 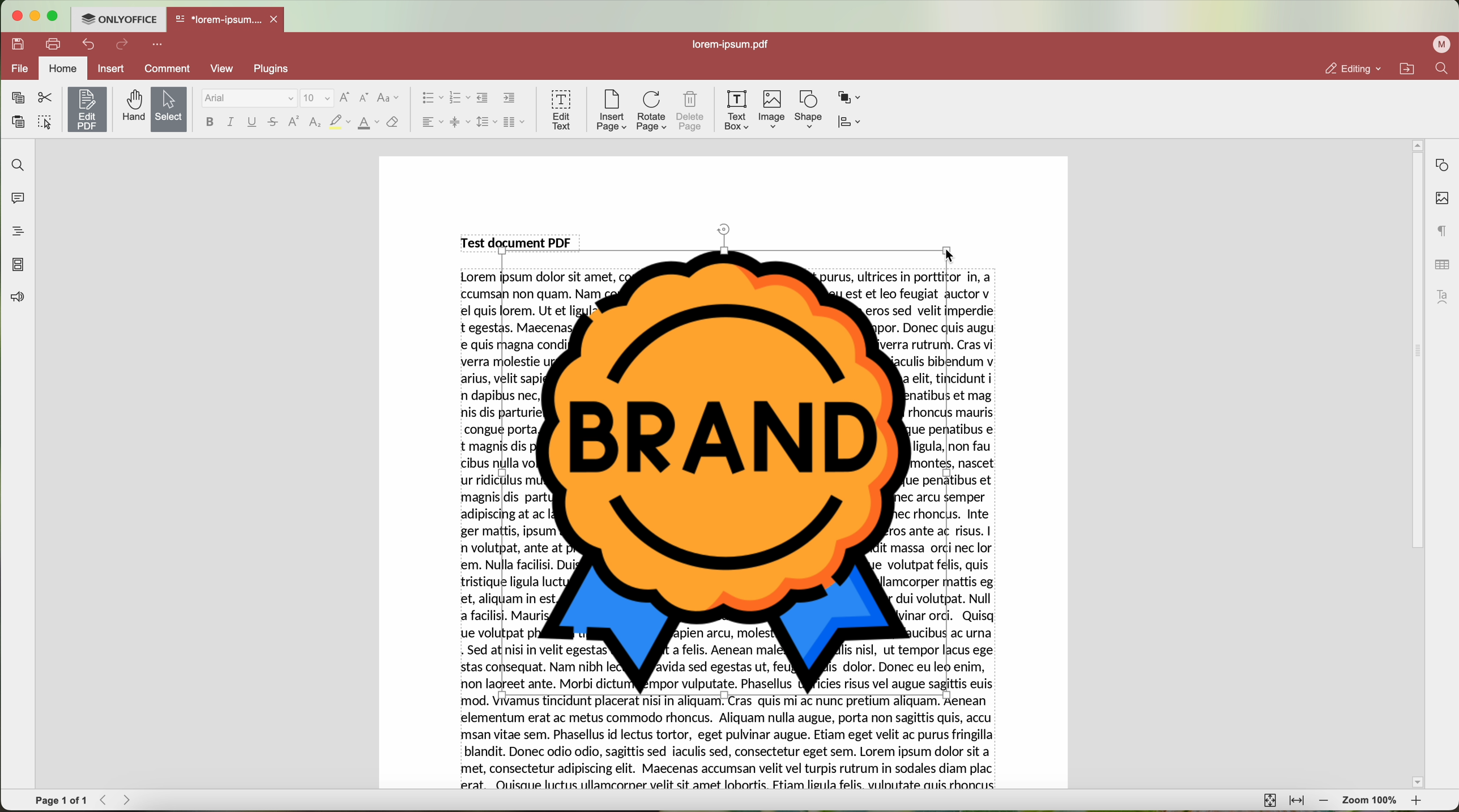 What do you see at coordinates (226, 69) in the screenshot?
I see `view` at bounding box center [226, 69].